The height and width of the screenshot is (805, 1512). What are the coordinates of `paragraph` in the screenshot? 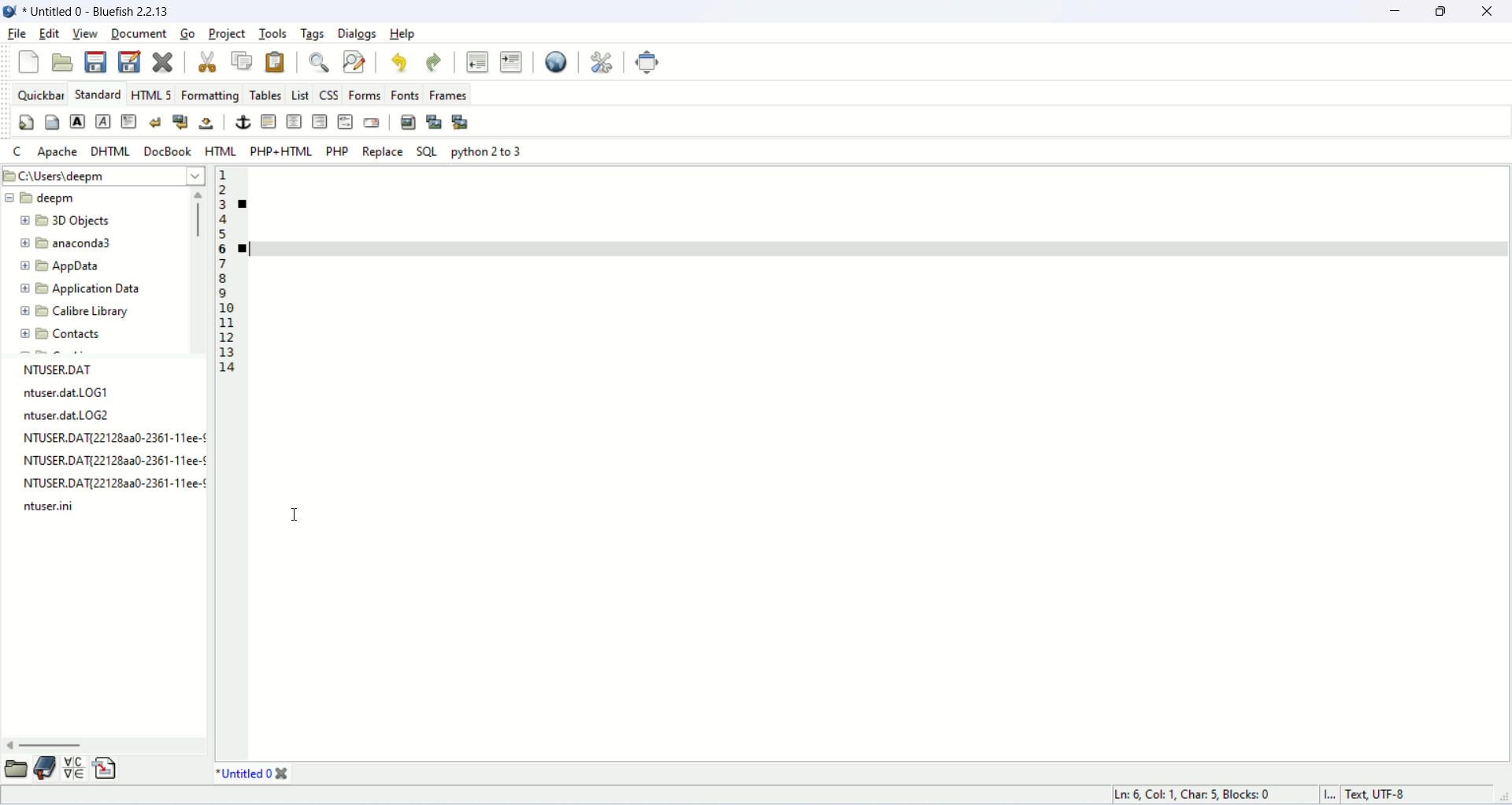 It's located at (131, 121).